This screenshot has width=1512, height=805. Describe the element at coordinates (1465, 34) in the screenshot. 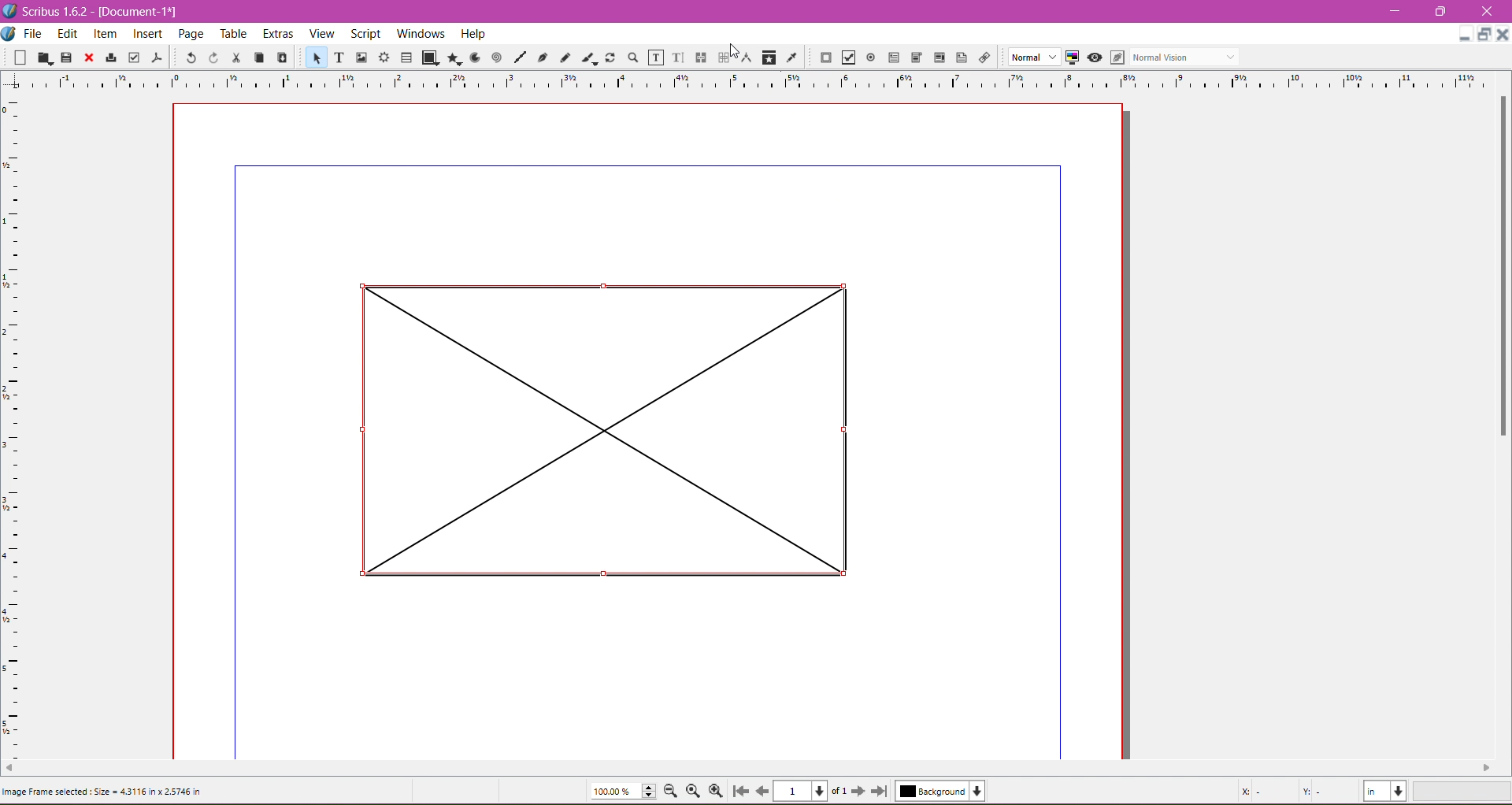

I see `Minimize Document` at that location.